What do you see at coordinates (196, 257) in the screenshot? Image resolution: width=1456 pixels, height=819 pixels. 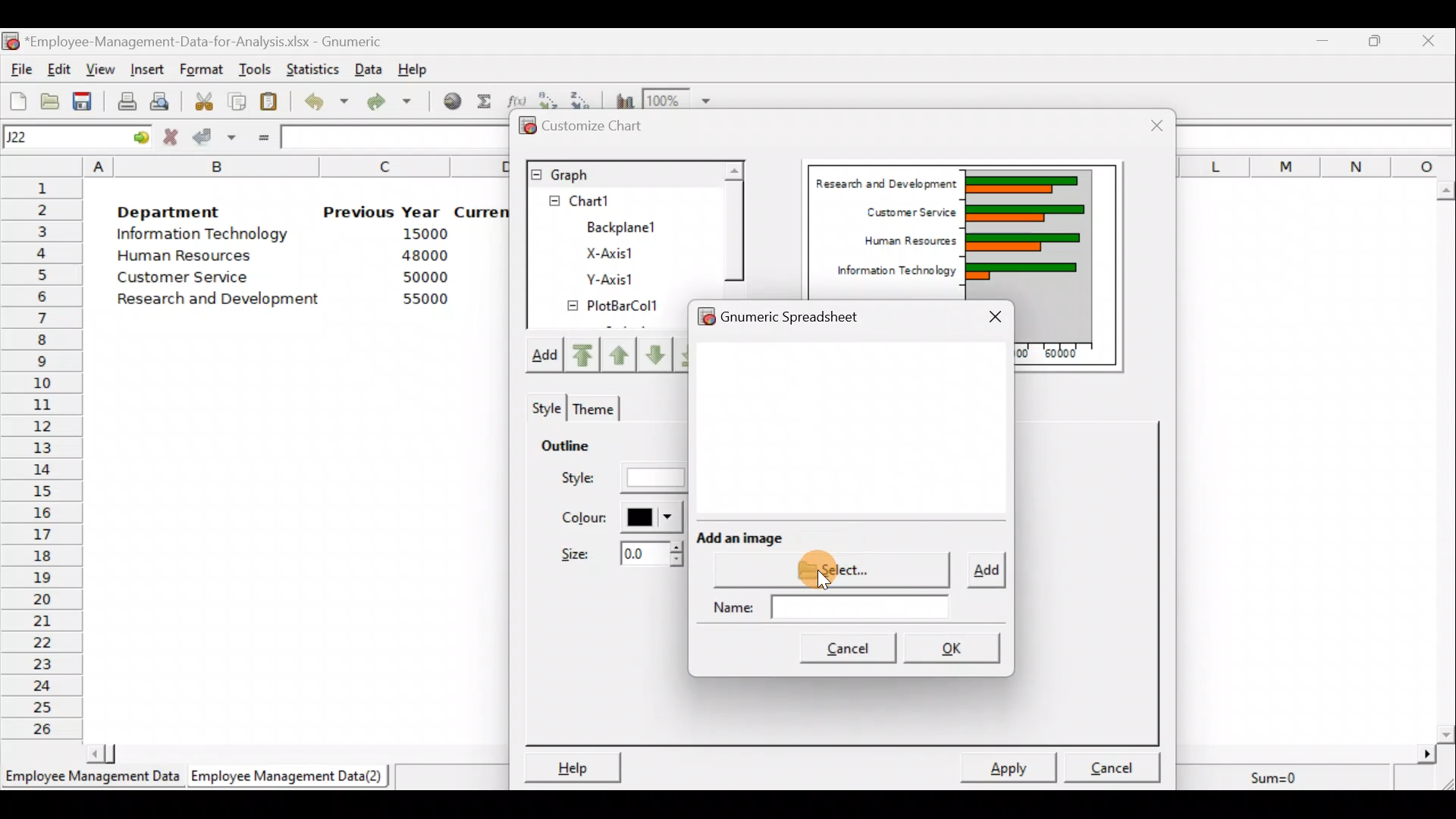 I see `Human Resources` at bounding box center [196, 257].